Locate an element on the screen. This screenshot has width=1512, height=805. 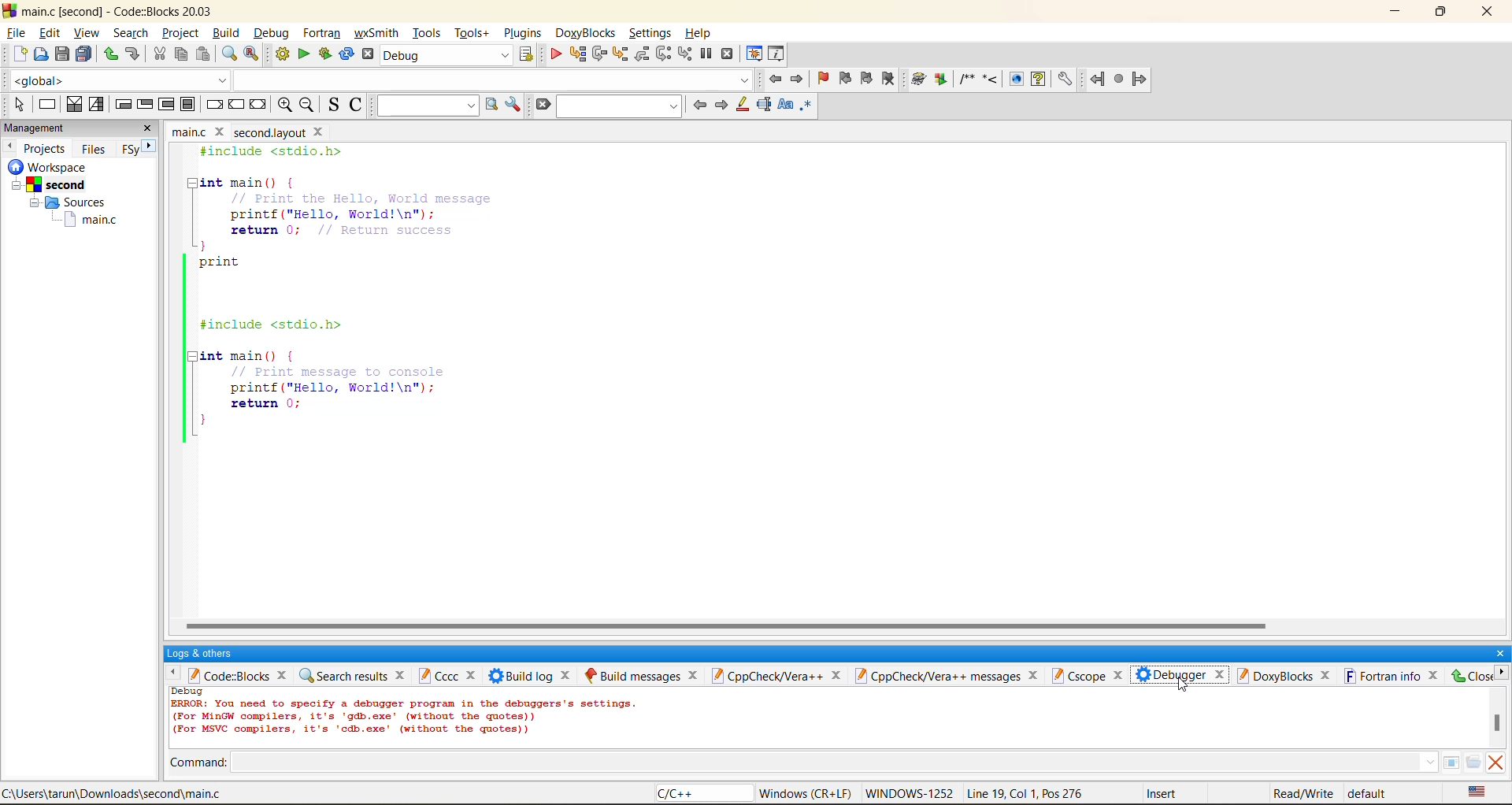
debug is located at coordinates (556, 54).